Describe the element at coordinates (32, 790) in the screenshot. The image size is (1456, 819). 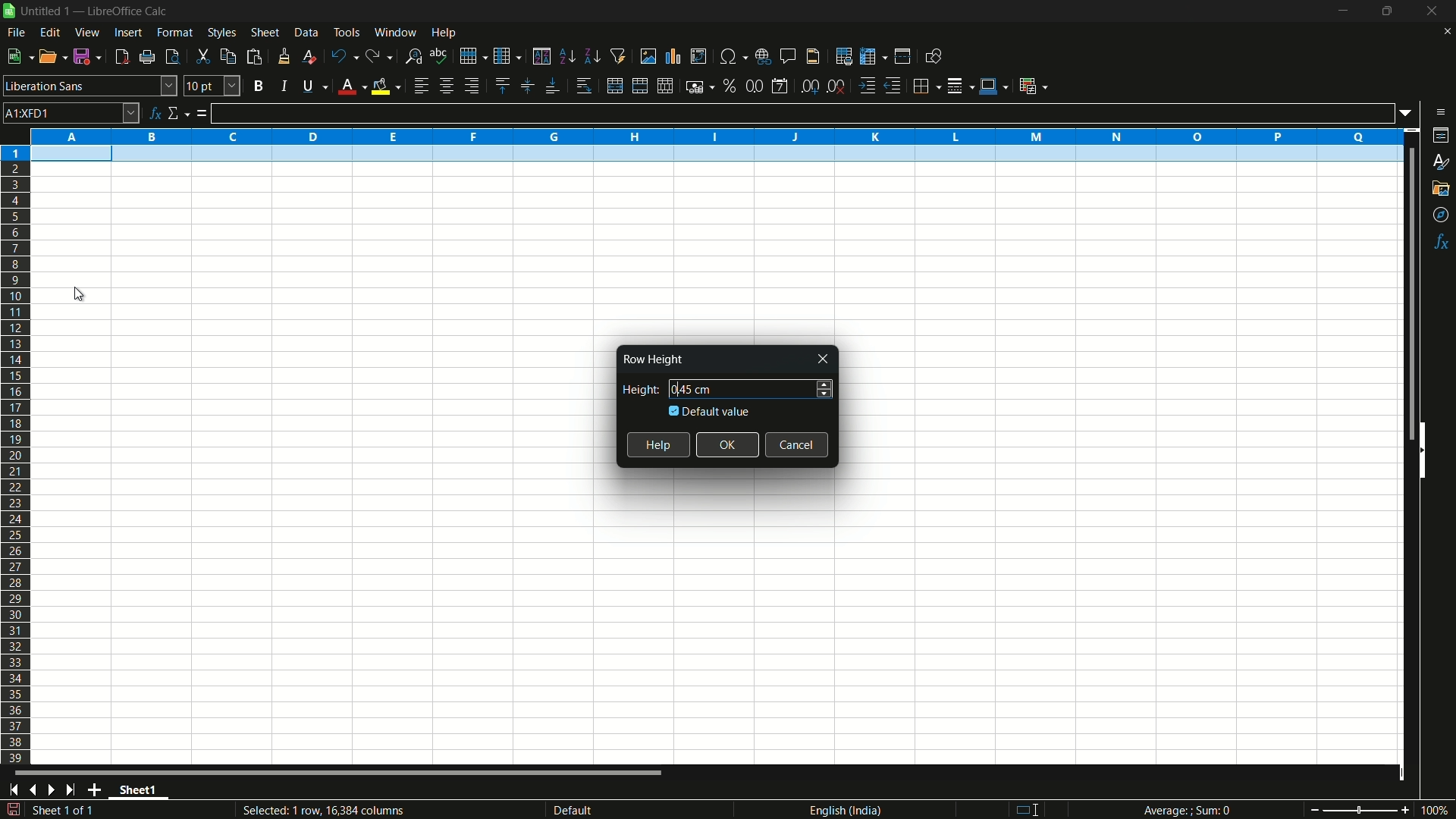
I see `previous sheet` at that location.